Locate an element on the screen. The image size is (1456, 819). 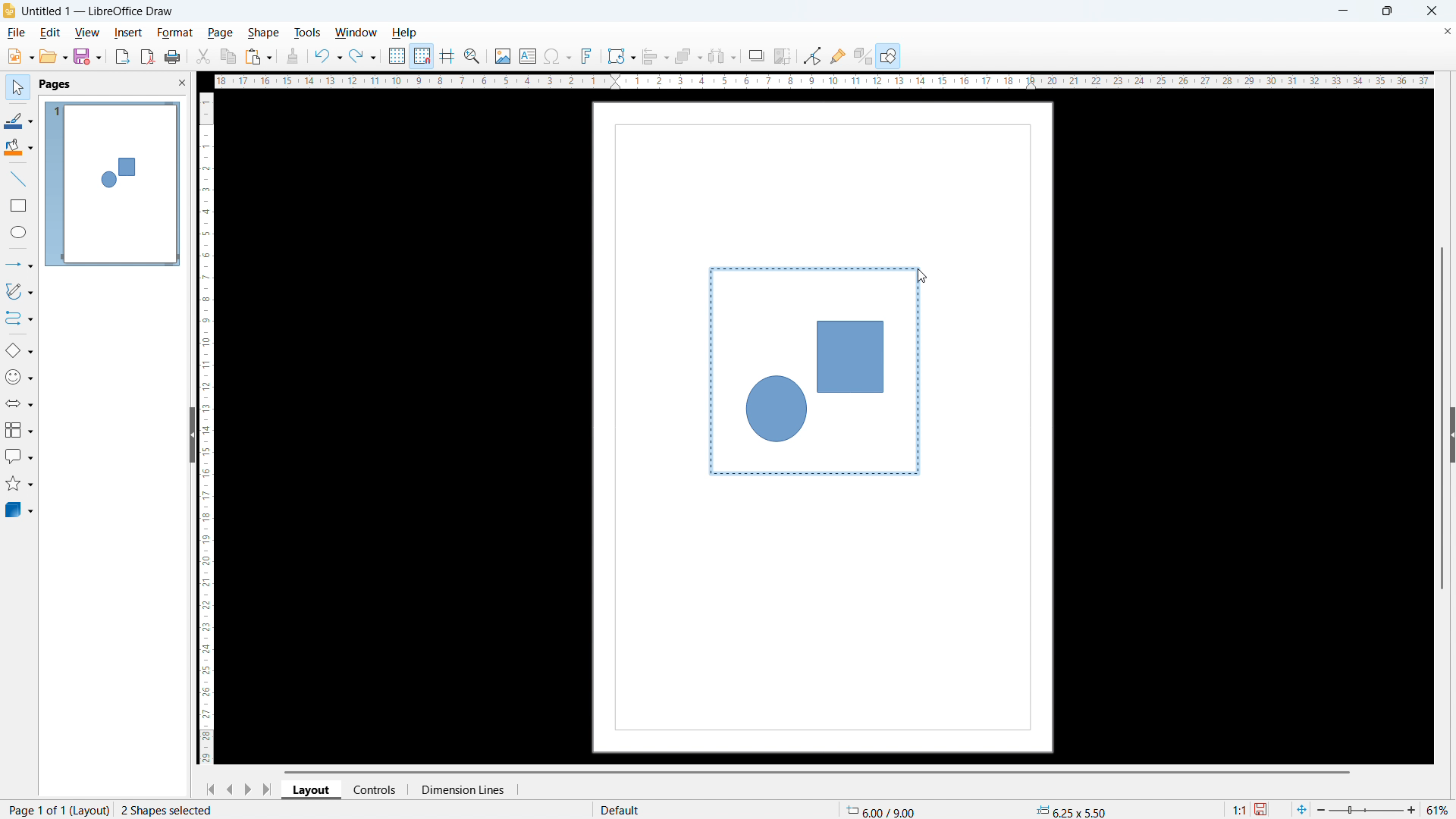
toggle extrusion is located at coordinates (863, 56).